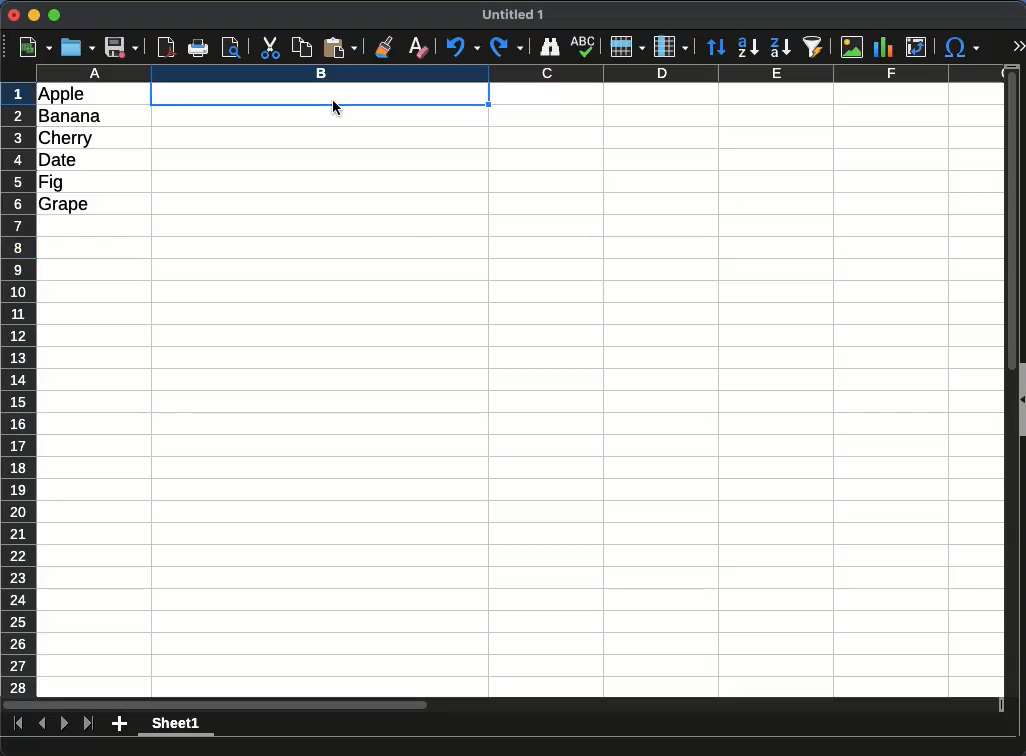 Image resolution: width=1026 pixels, height=756 pixels. Describe the element at coordinates (852, 47) in the screenshot. I see `image` at that location.